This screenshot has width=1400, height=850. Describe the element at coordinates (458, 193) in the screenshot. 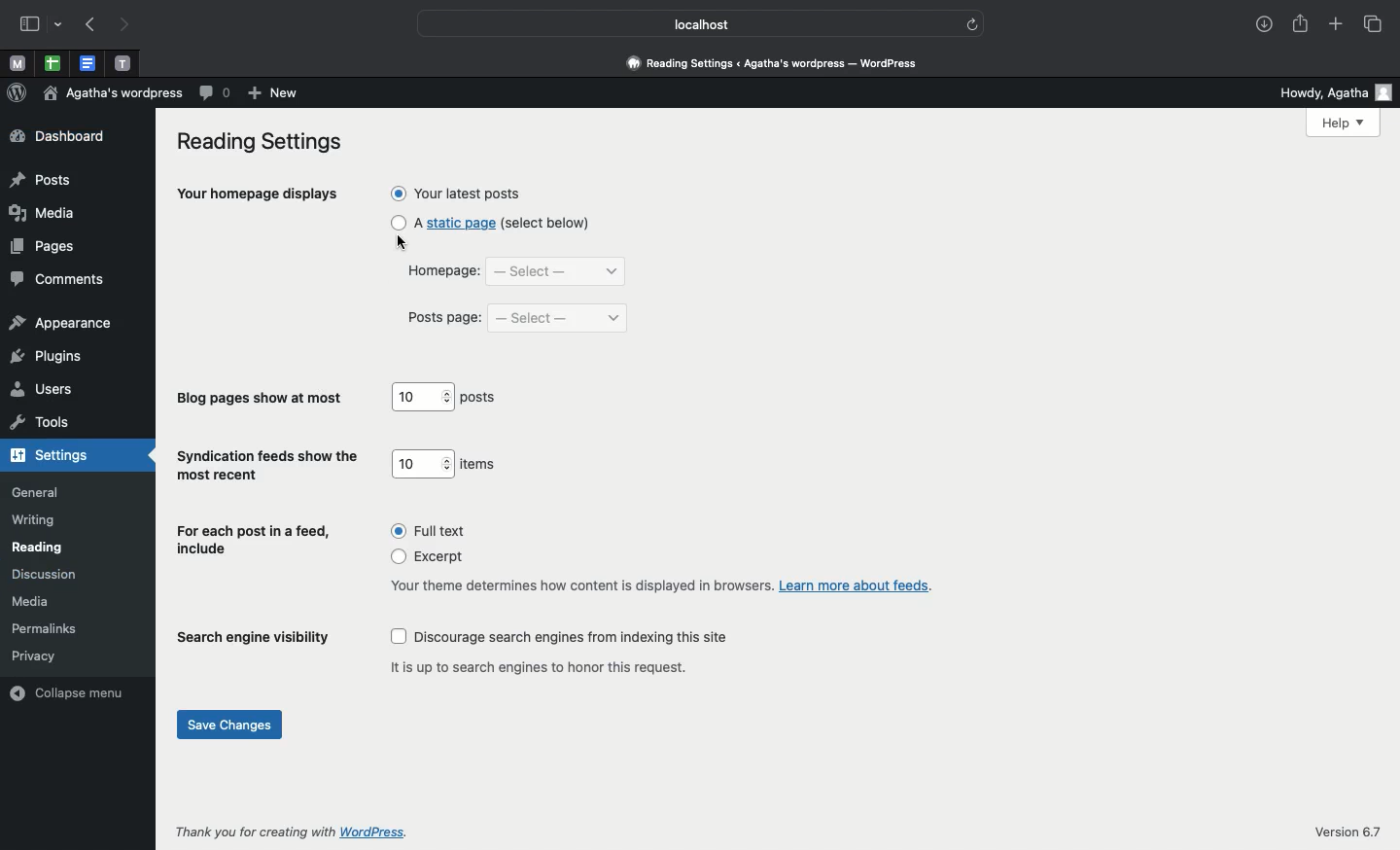

I see `Your latest posts ` at that location.